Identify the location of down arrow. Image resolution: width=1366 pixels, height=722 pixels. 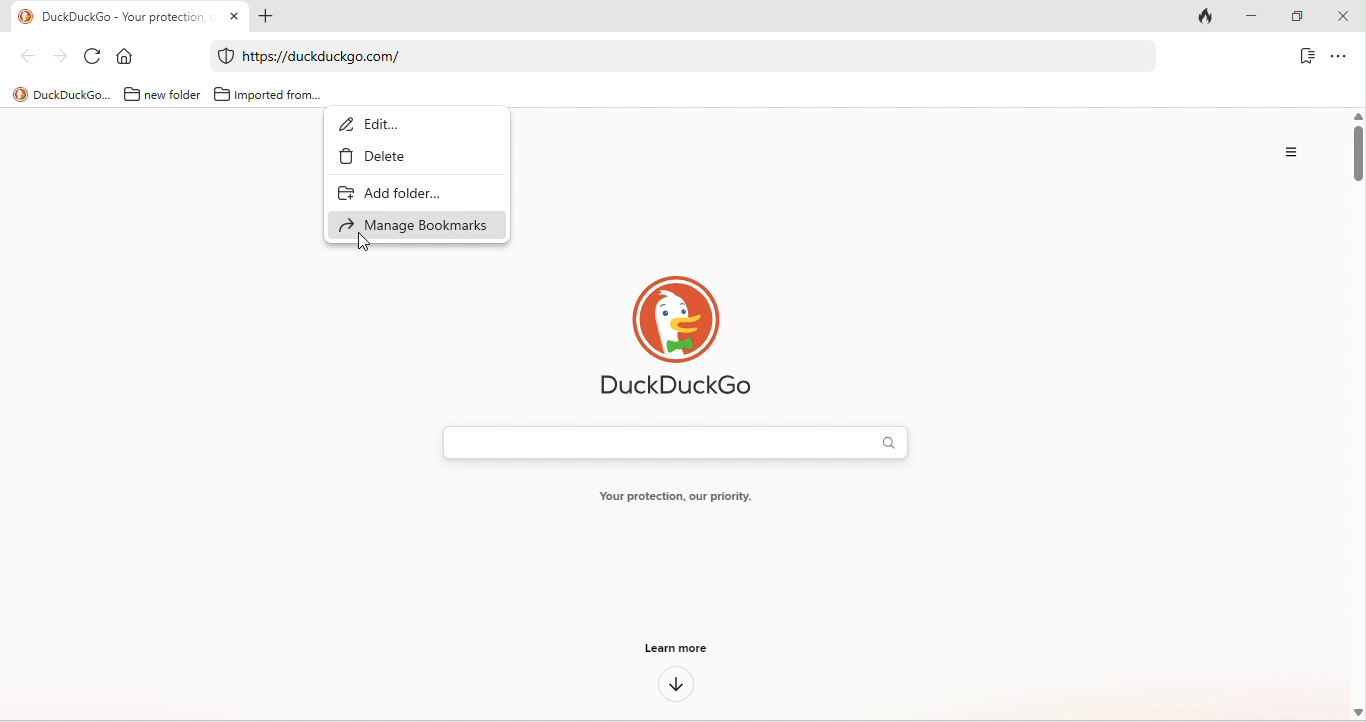
(675, 687).